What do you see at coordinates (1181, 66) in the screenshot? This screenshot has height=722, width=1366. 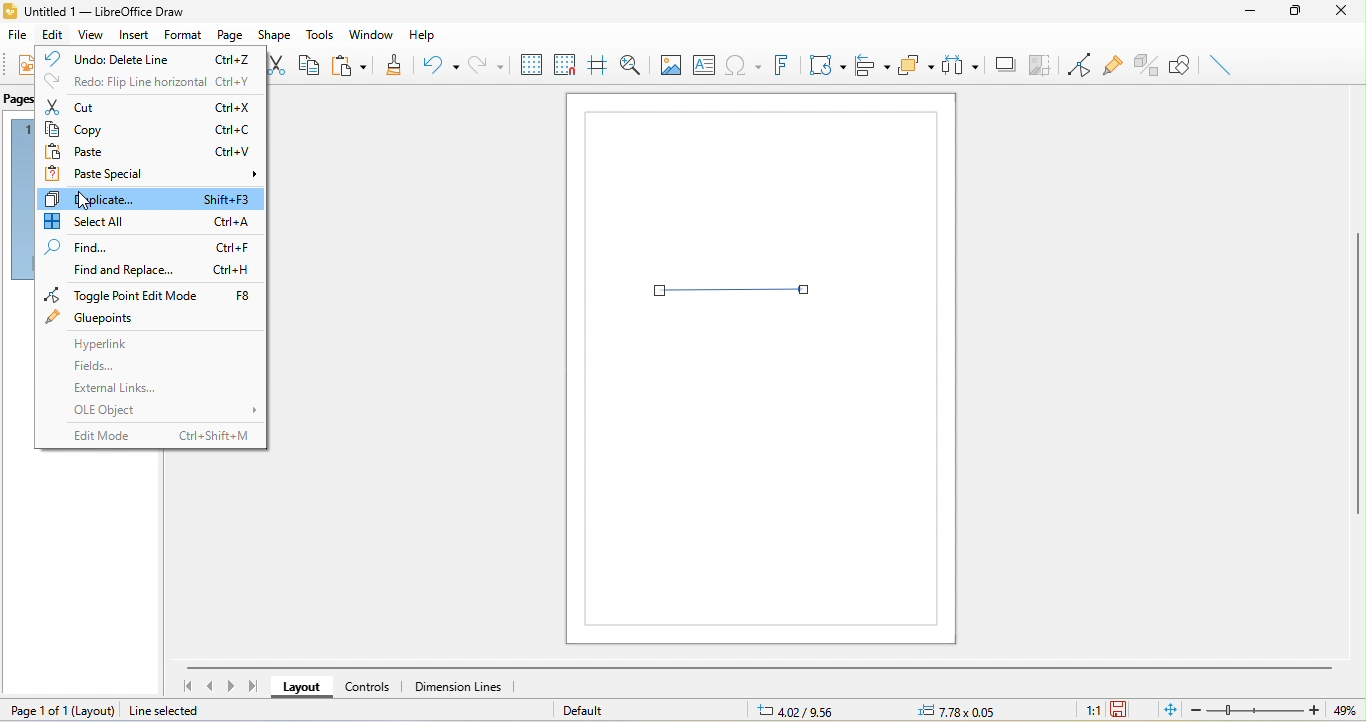 I see `show draw function` at bounding box center [1181, 66].